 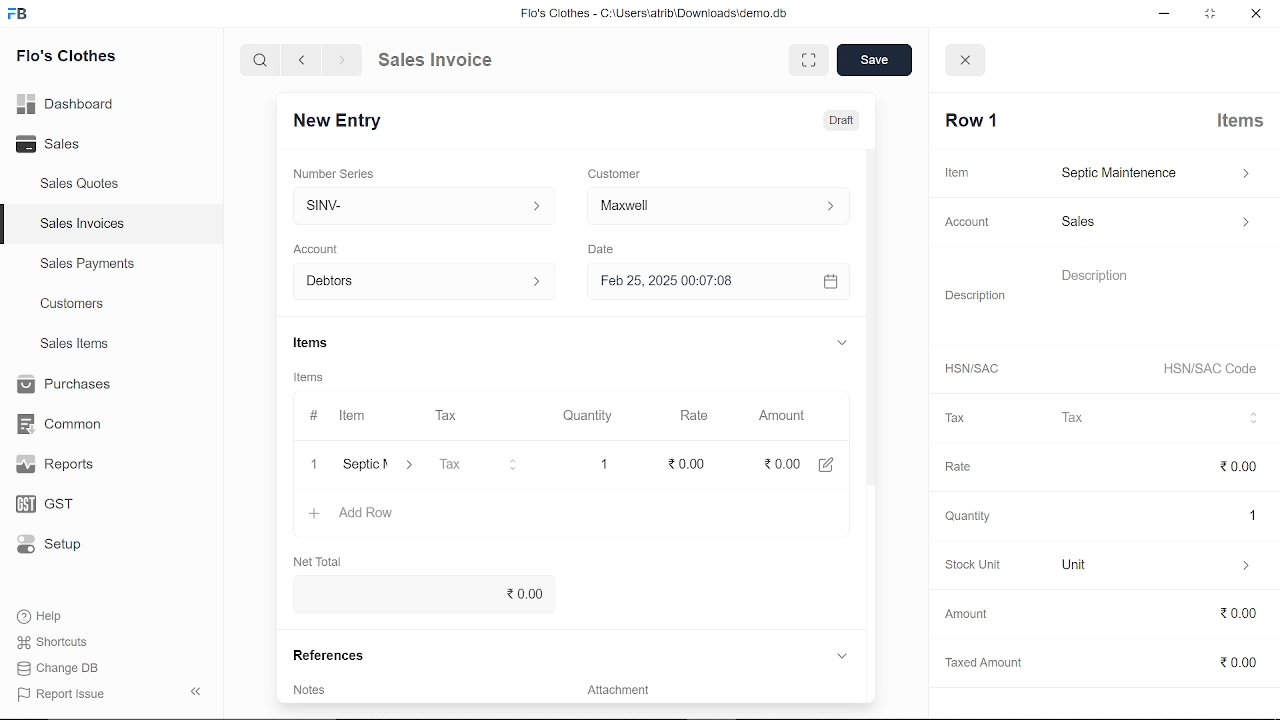 I want to click on close, so click(x=1254, y=12).